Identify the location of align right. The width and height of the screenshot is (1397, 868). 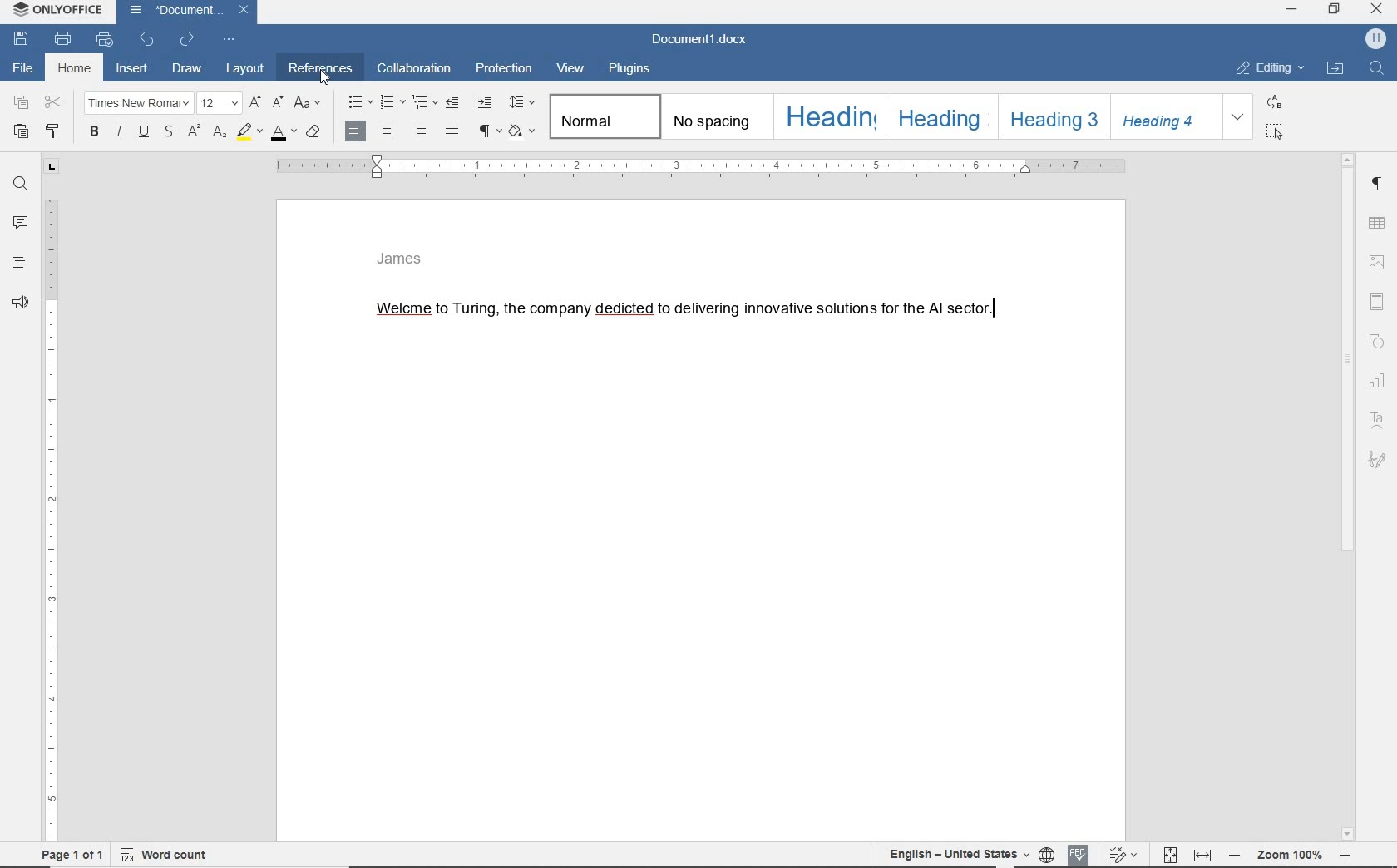
(422, 134).